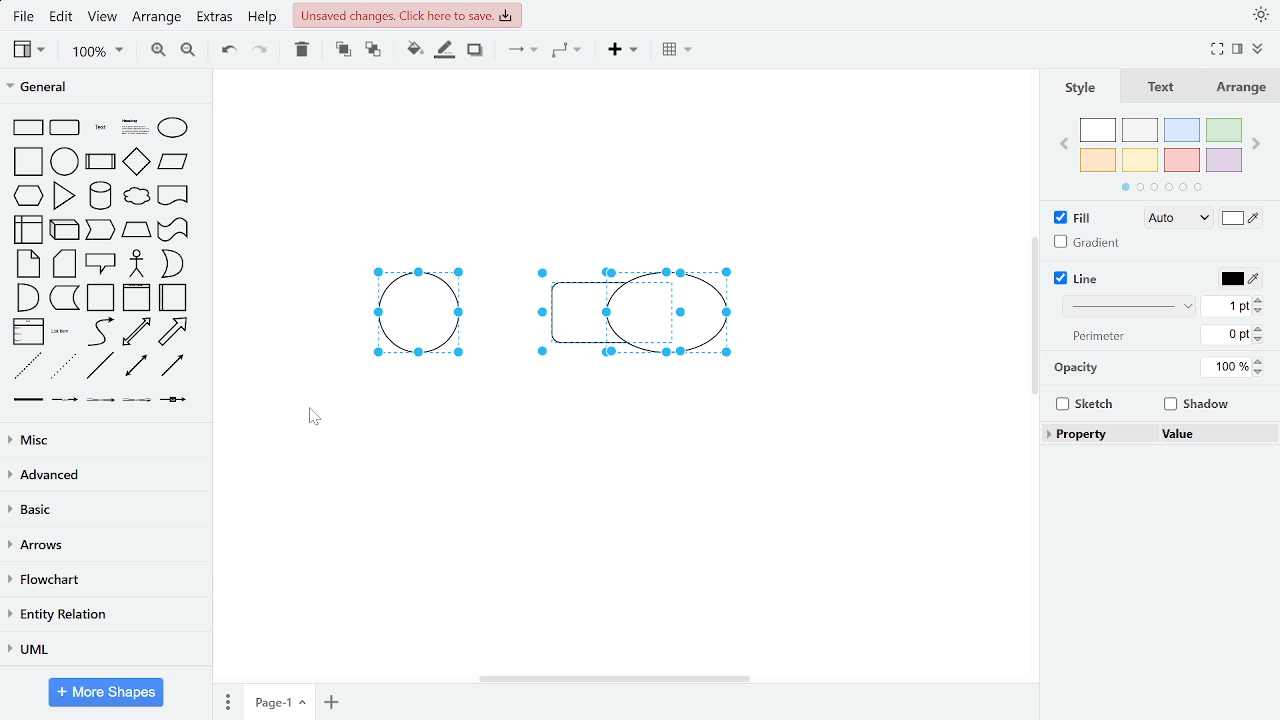 The width and height of the screenshot is (1280, 720). Describe the element at coordinates (101, 581) in the screenshot. I see `flowchart` at that location.